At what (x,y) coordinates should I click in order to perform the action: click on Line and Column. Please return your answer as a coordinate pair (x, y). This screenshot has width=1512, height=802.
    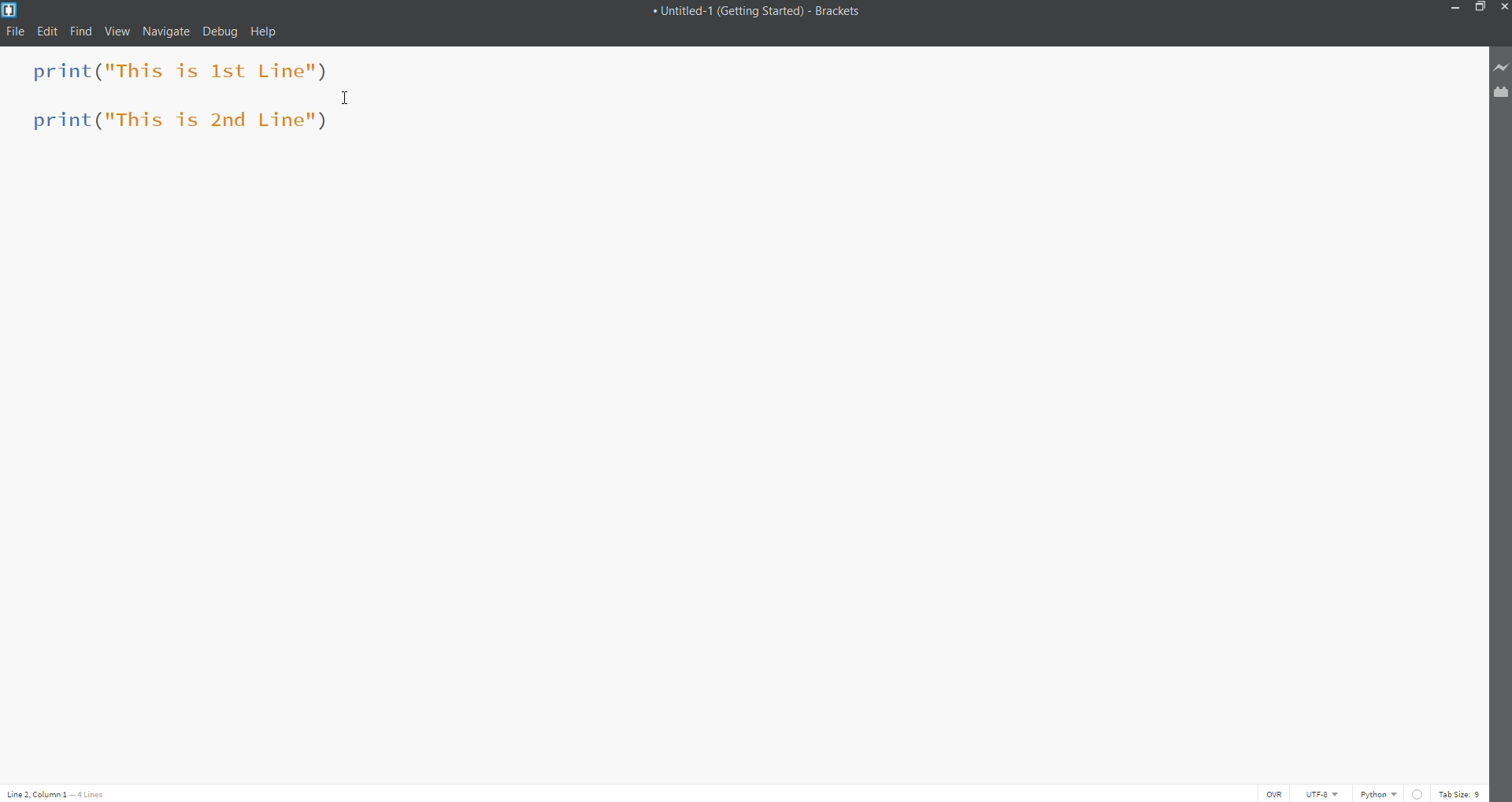
    Looking at the image, I should click on (65, 784).